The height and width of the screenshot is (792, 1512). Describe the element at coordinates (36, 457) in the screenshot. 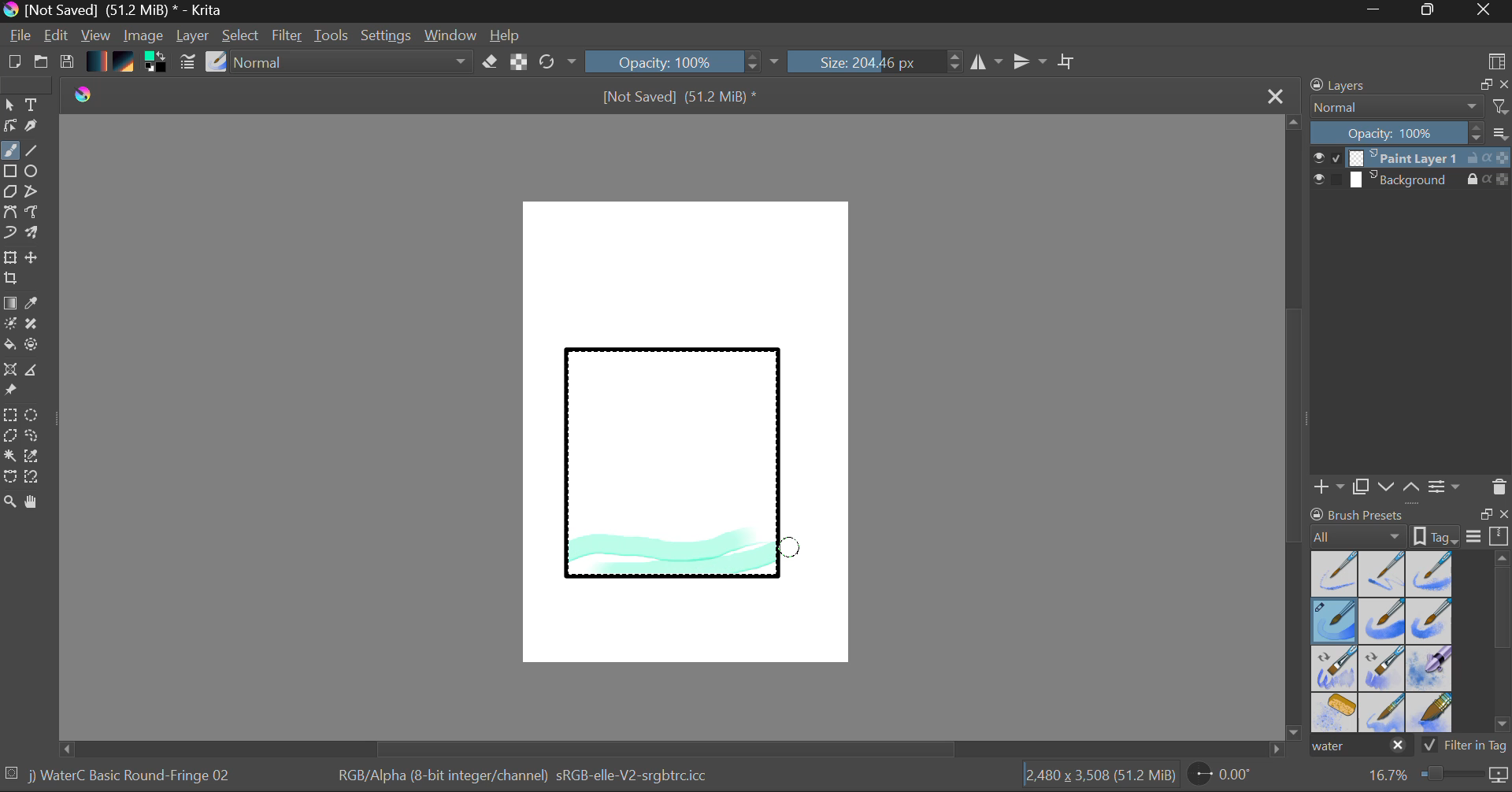

I see `Similar Color Selector` at that location.